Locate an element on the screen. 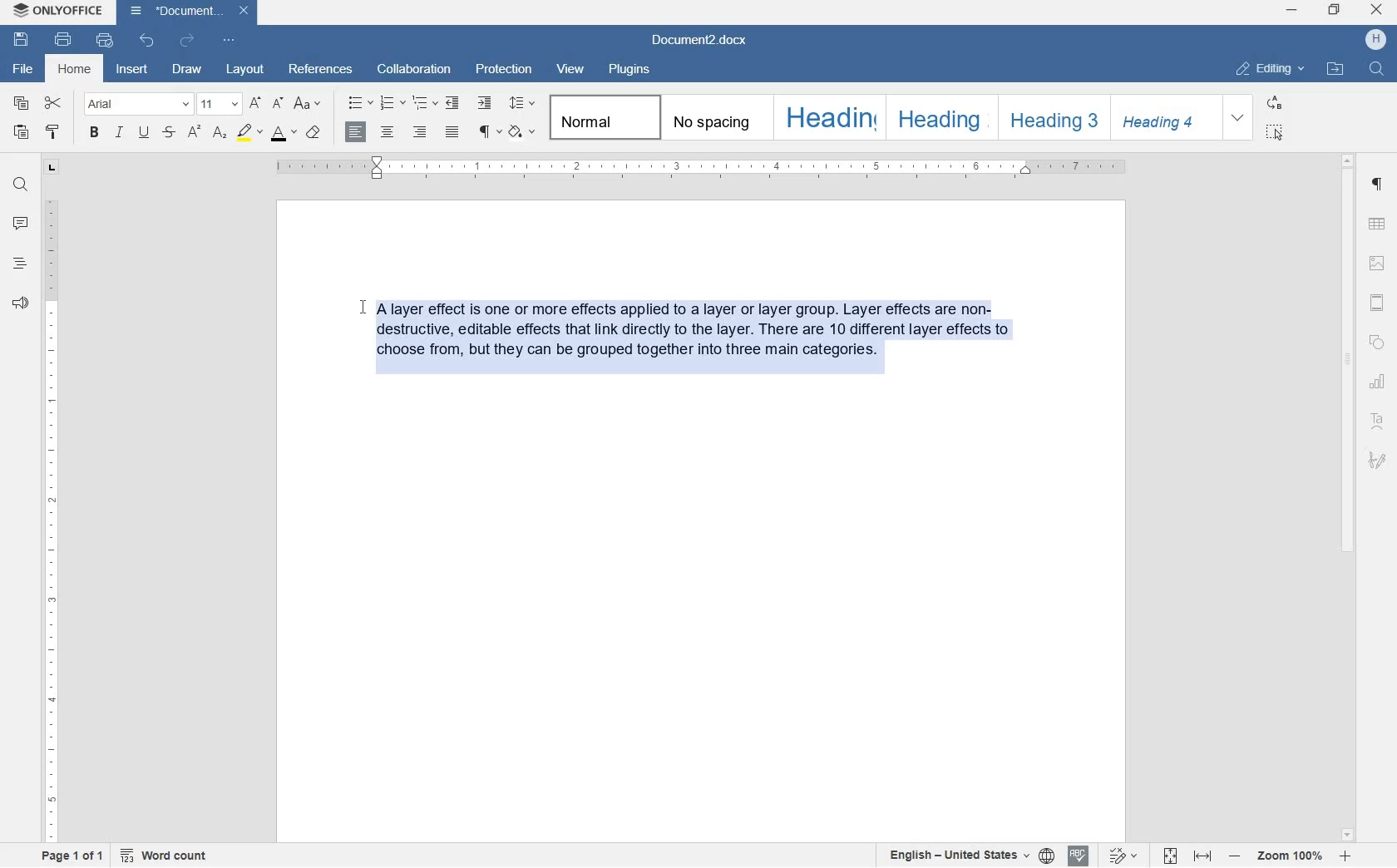  copy style is located at coordinates (53, 133).